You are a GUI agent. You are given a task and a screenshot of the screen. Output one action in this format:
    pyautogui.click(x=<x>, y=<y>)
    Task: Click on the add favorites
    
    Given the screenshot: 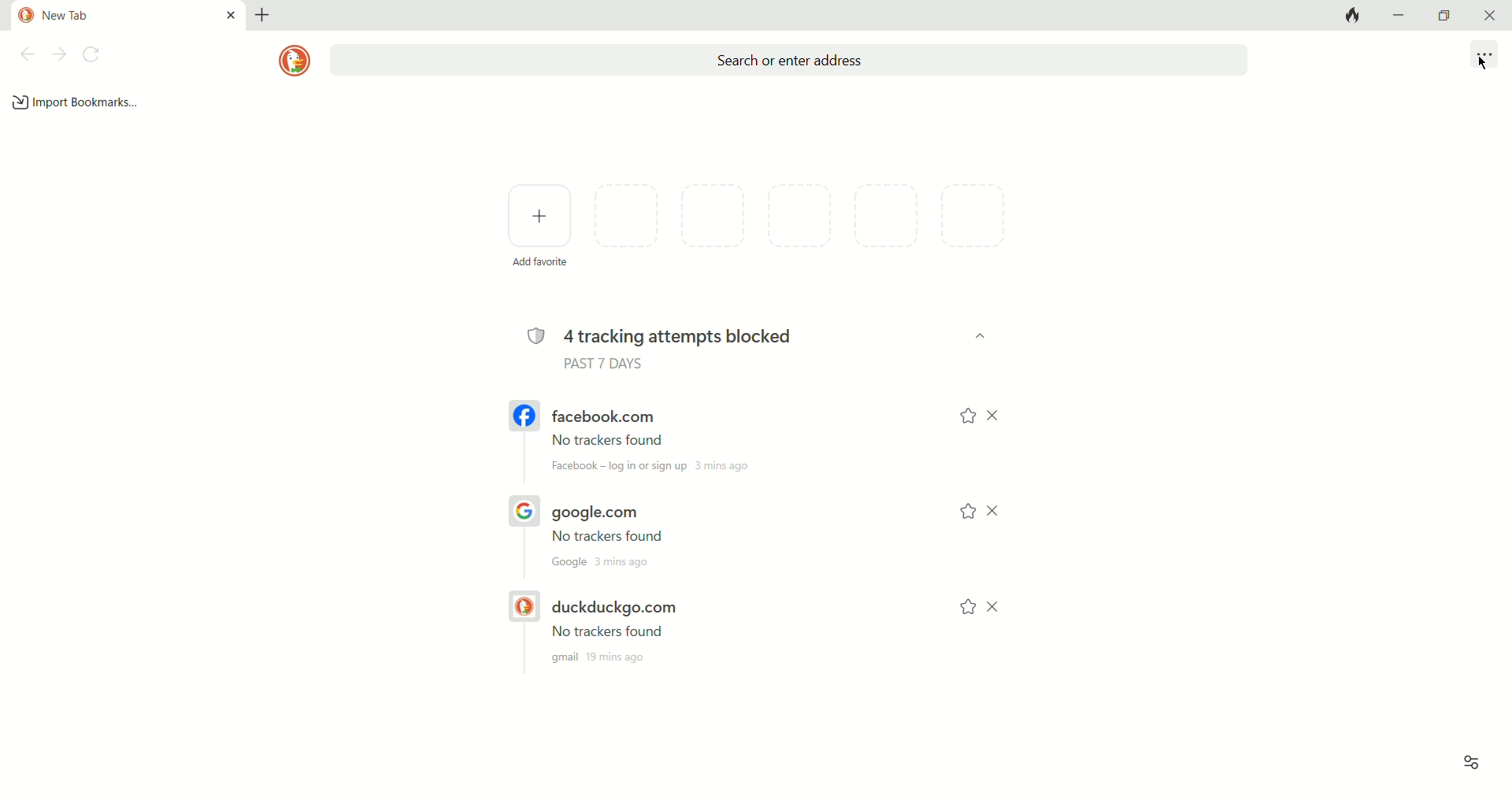 What is the action you would take?
    pyautogui.click(x=541, y=226)
    